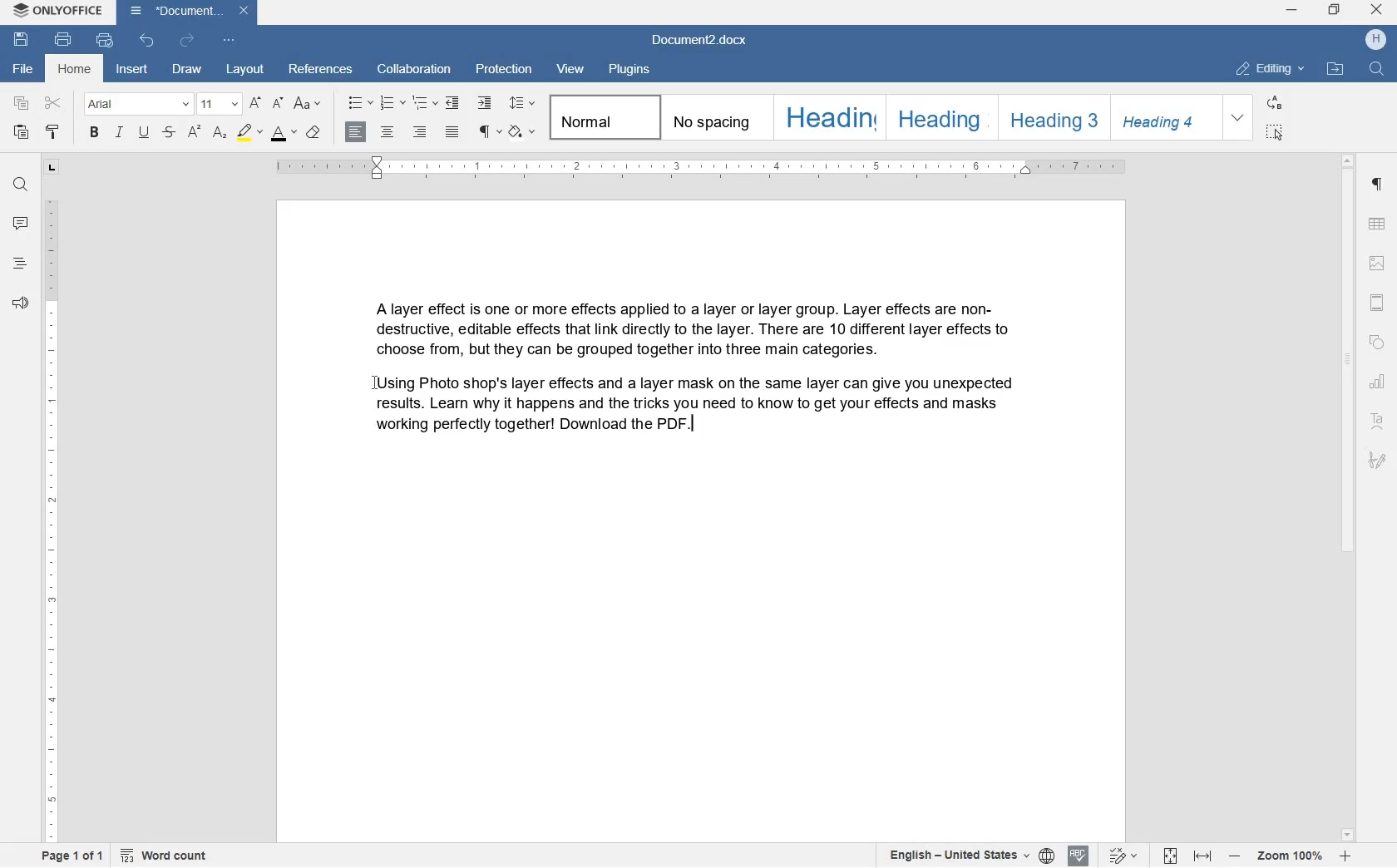 The width and height of the screenshot is (1397, 868). What do you see at coordinates (148, 42) in the screenshot?
I see `UNDO` at bounding box center [148, 42].